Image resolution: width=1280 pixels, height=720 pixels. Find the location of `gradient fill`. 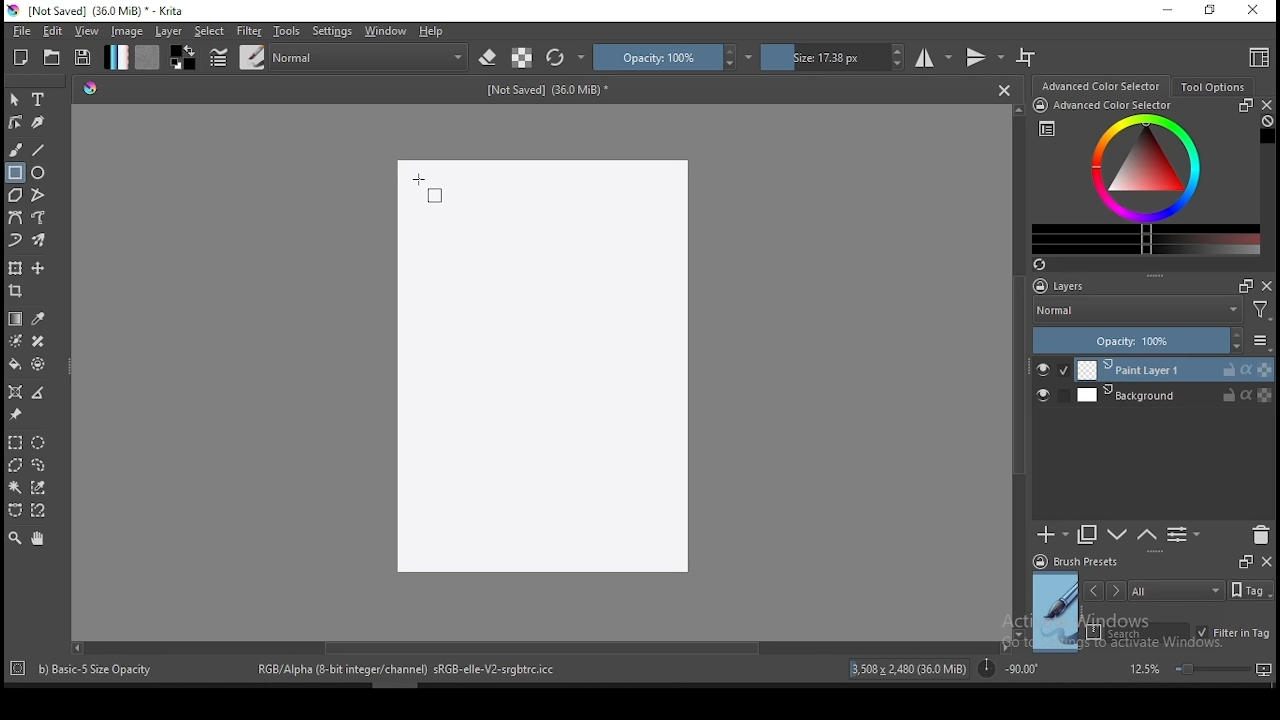

gradient fill is located at coordinates (116, 57).